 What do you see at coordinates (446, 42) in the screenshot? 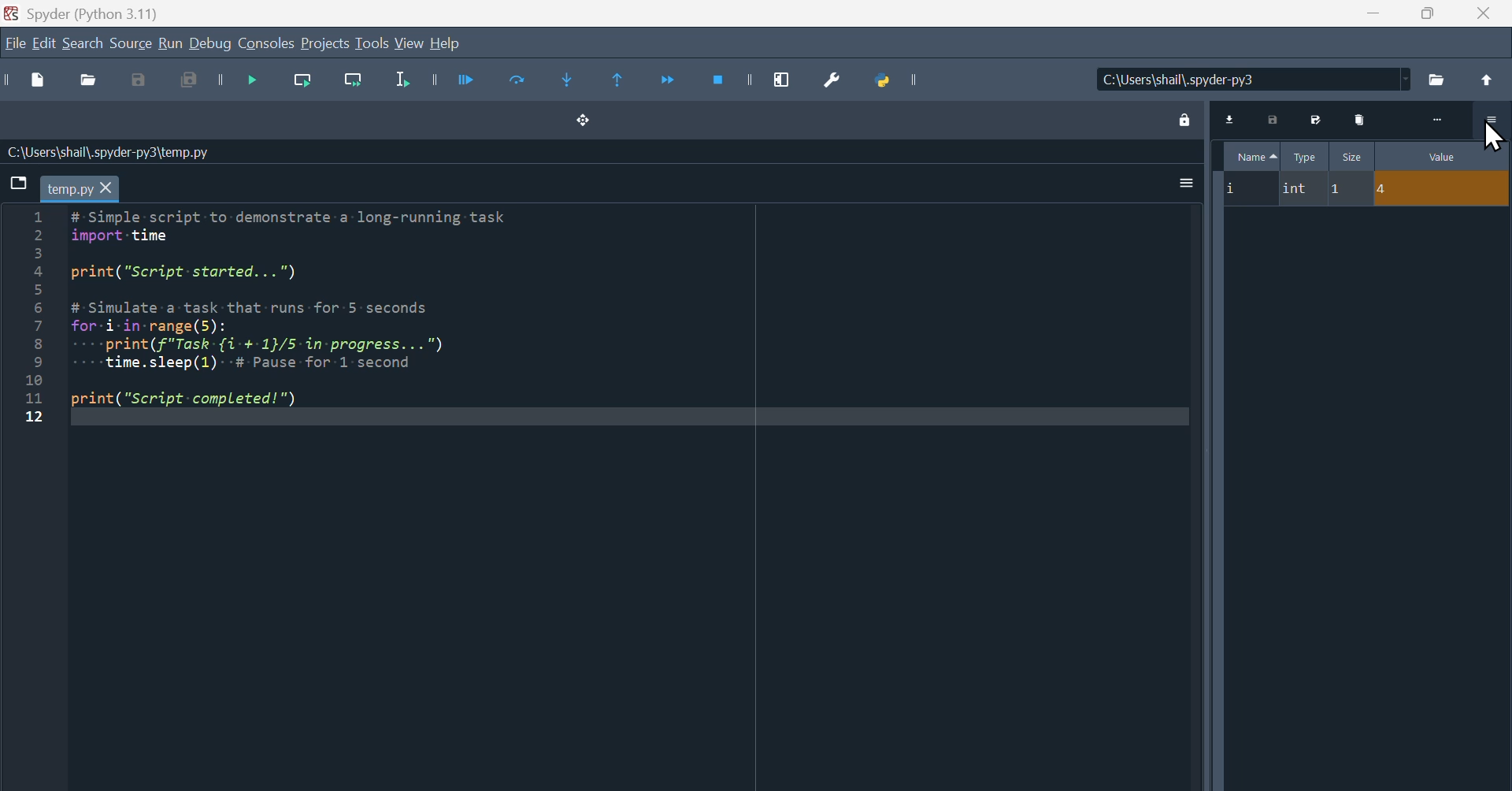
I see `help` at bounding box center [446, 42].